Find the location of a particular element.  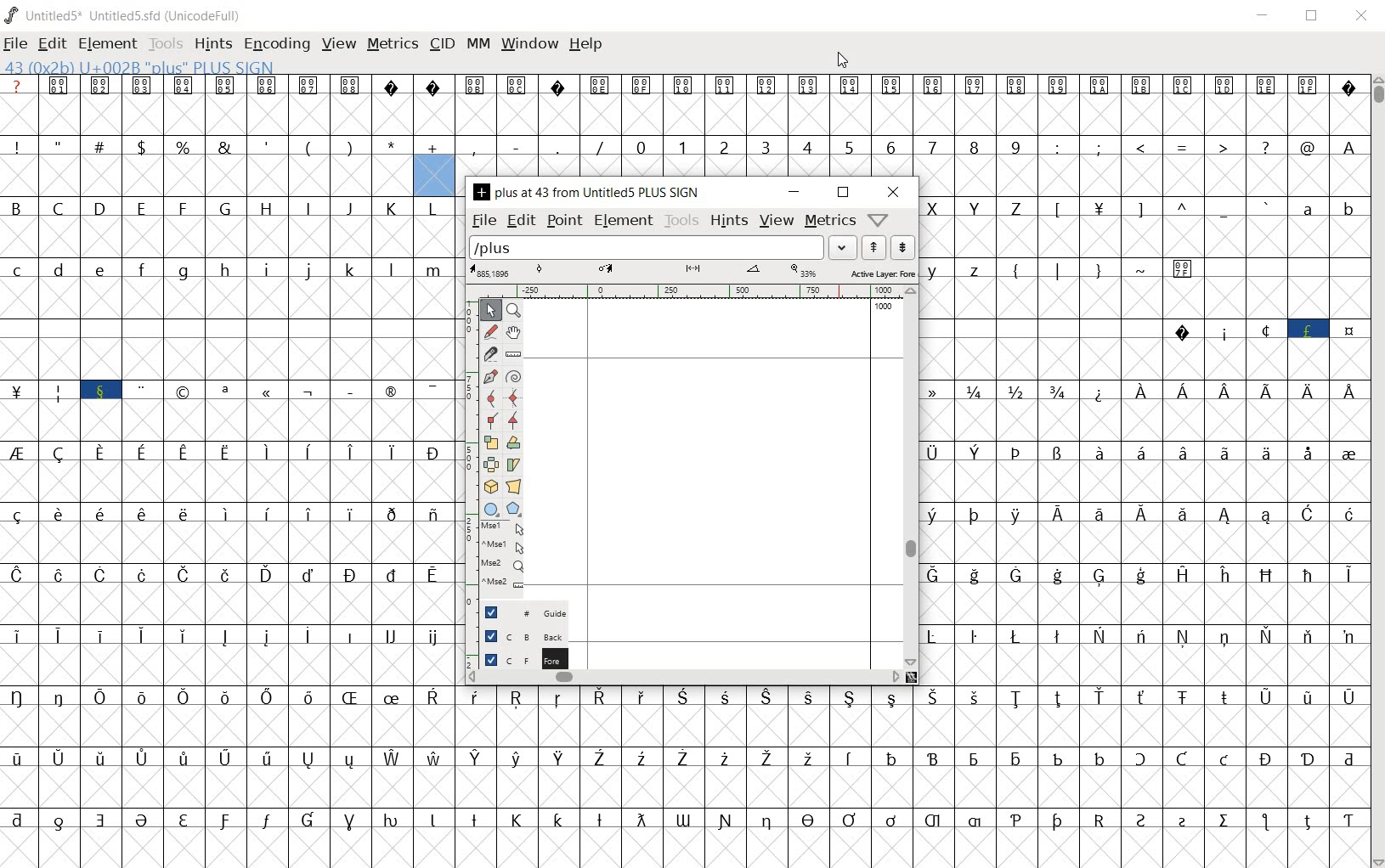

scroll bar is located at coordinates (469, 336).